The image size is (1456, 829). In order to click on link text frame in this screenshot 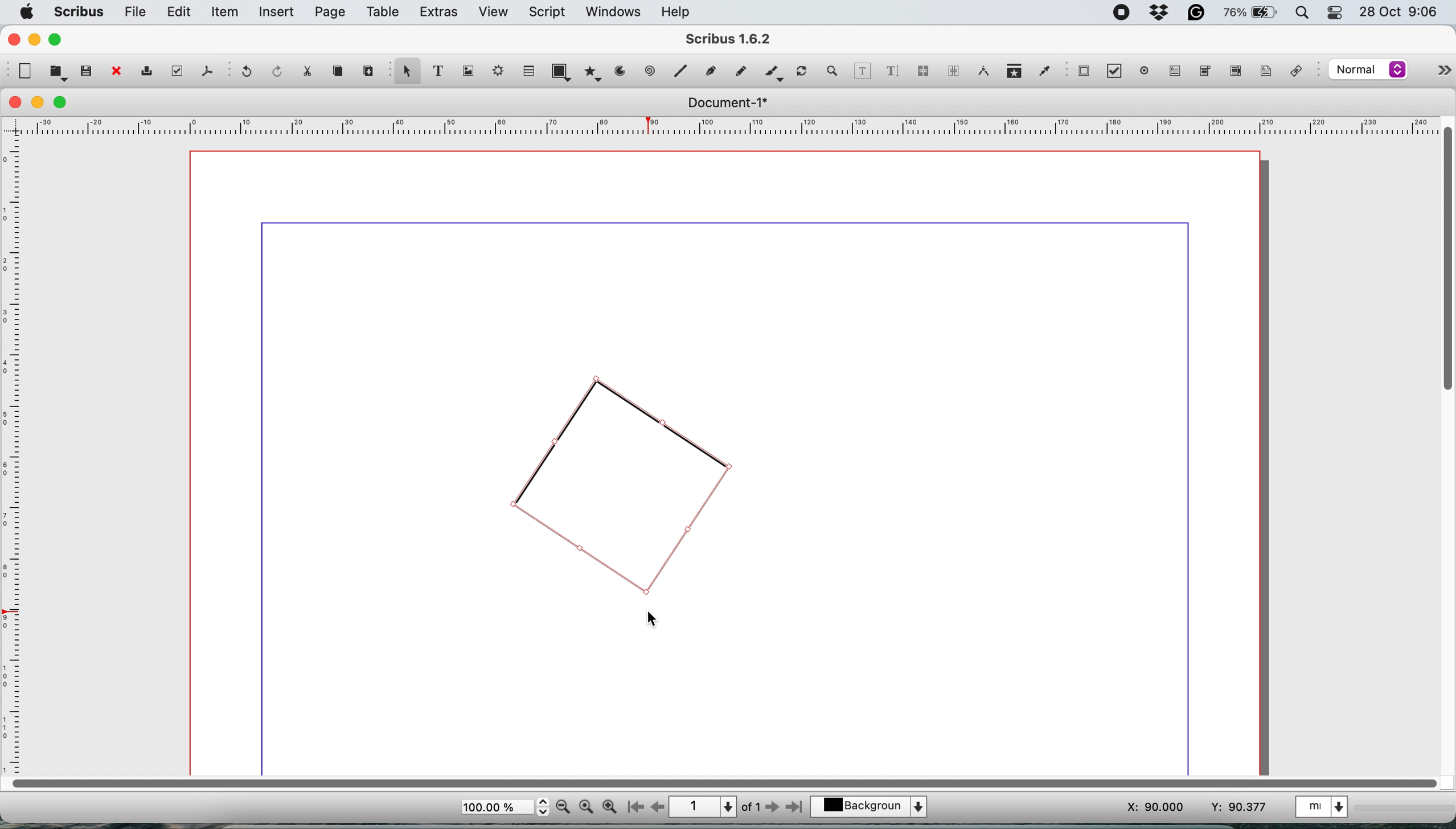, I will do `click(925, 71)`.